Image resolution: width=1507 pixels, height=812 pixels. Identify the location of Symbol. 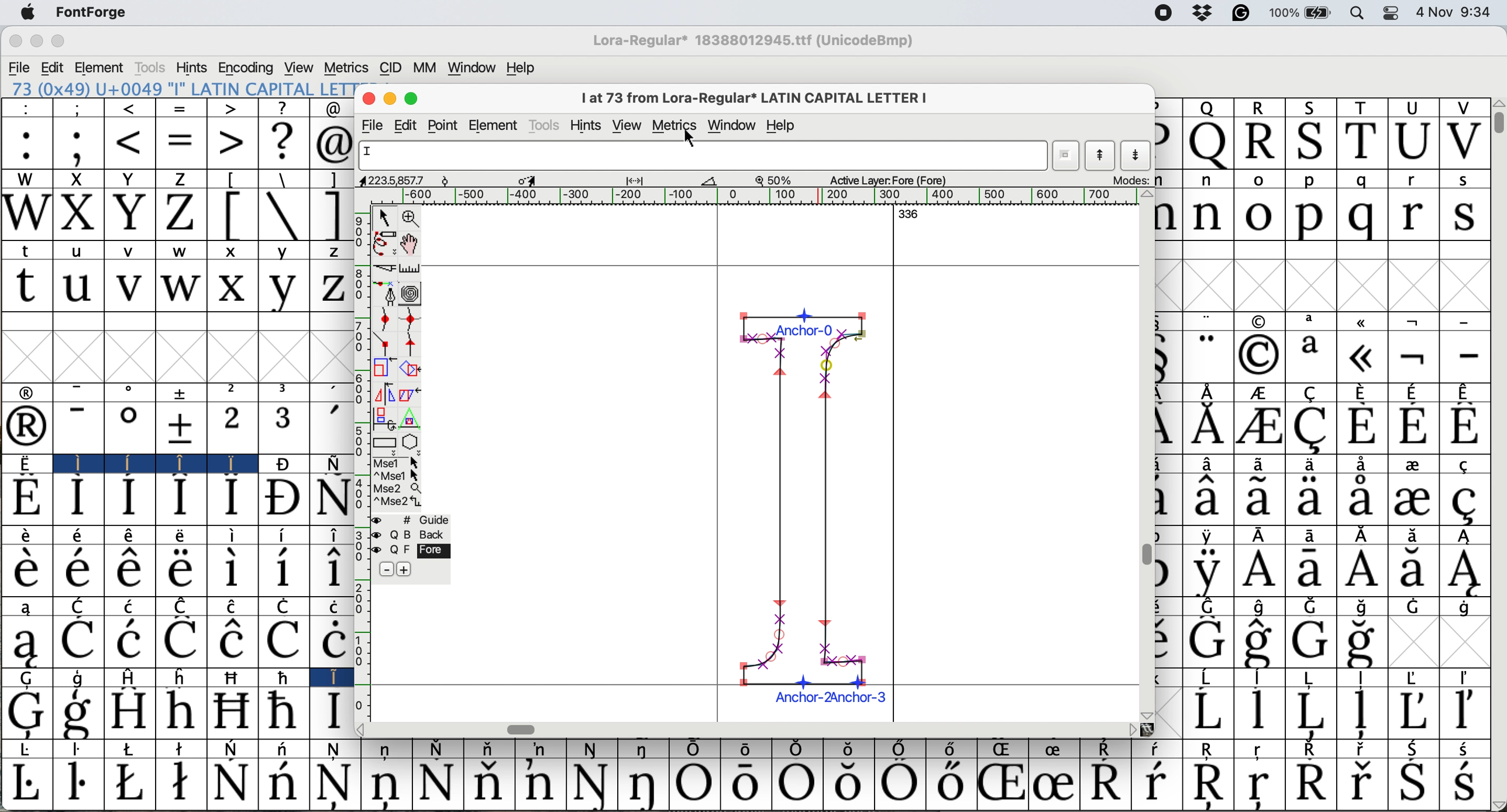
(846, 749).